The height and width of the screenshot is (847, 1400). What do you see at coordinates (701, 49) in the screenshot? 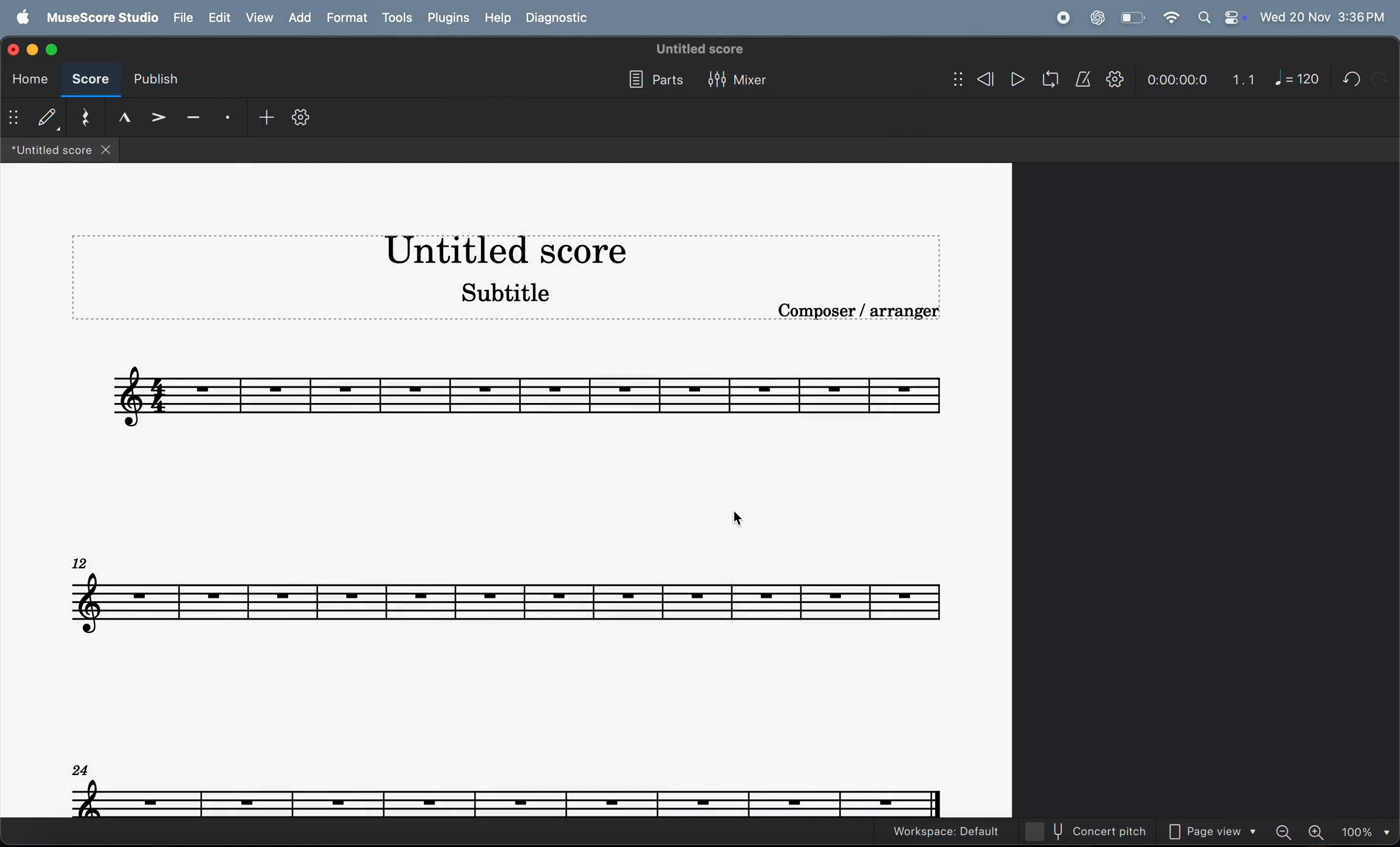
I see `untitled score` at bounding box center [701, 49].